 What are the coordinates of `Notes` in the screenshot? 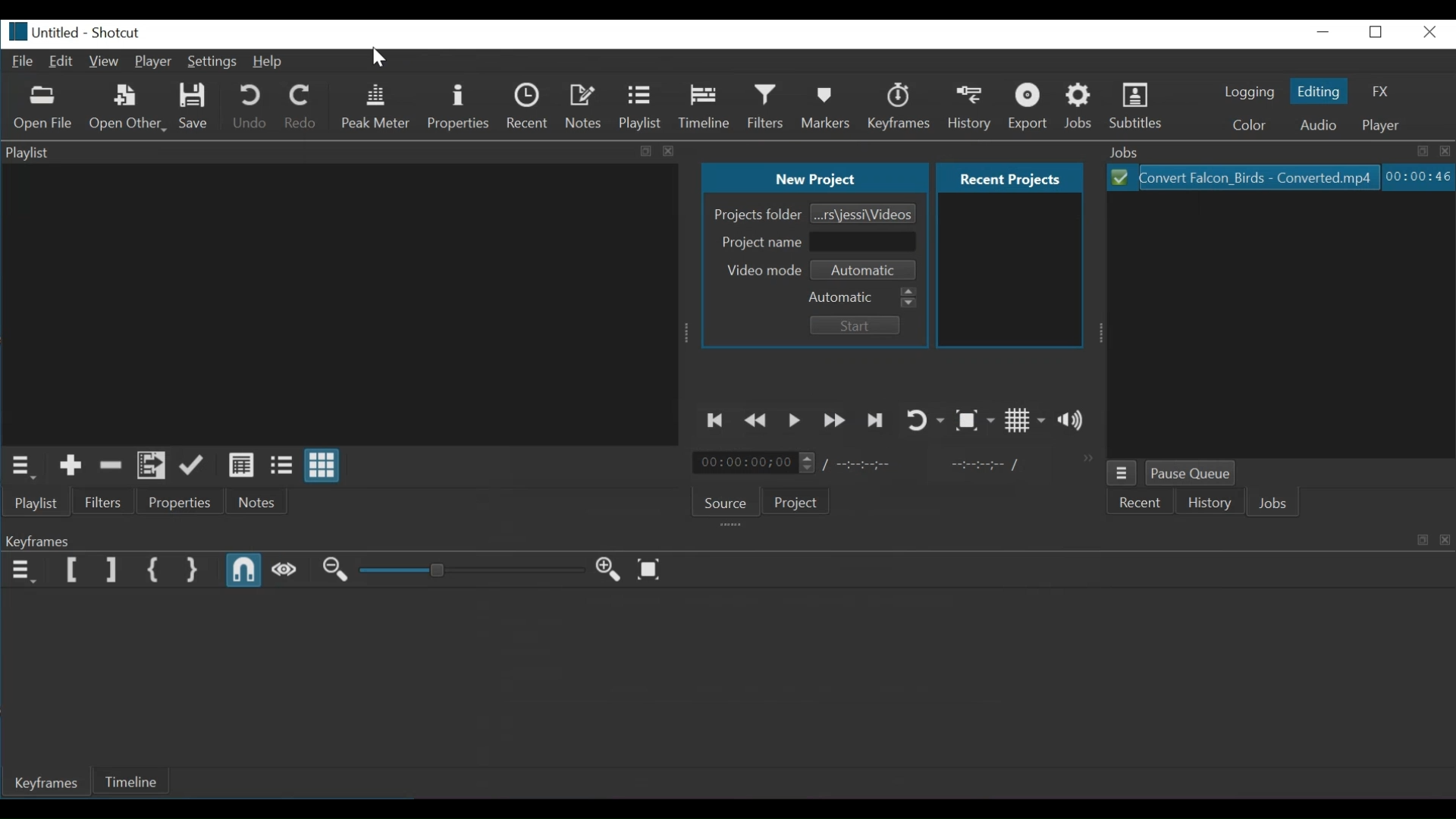 It's located at (584, 106).